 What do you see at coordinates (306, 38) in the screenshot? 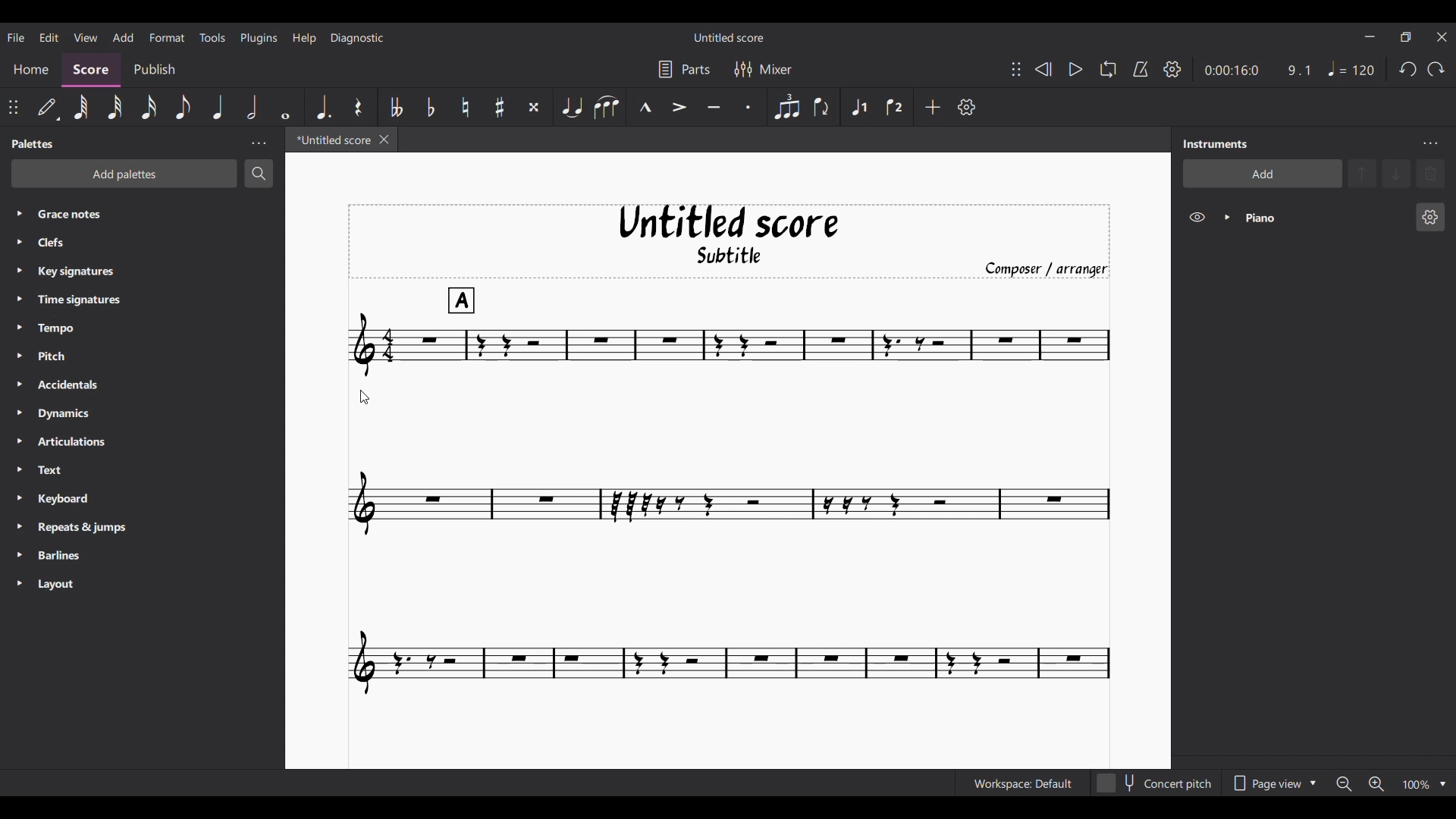
I see `Help menu` at bounding box center [306, 38].